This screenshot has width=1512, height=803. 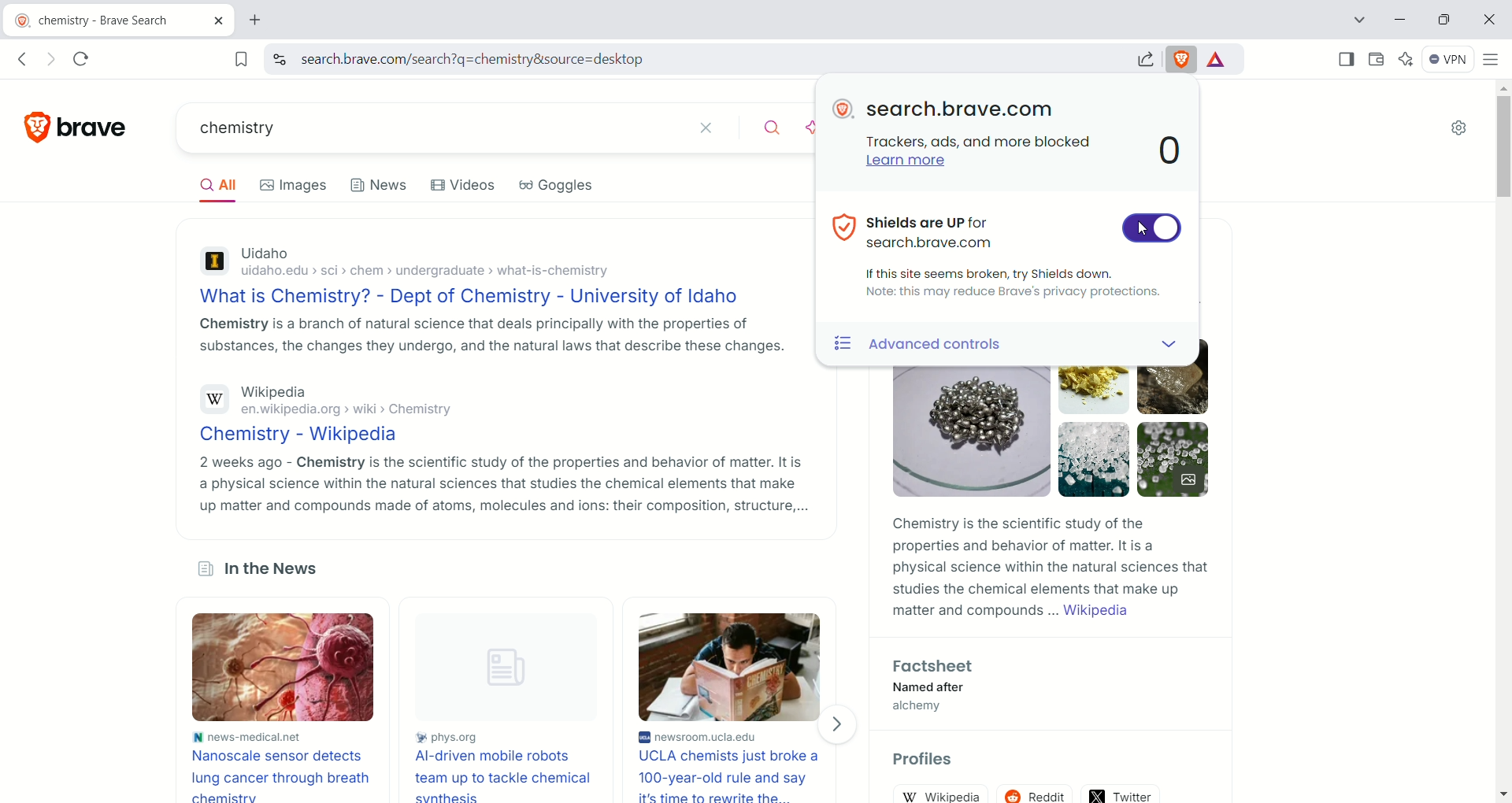 What do you see at coordinates (1359, 20) in the screenshot?
I see `search tabs` at bounding box center [1359, 20].